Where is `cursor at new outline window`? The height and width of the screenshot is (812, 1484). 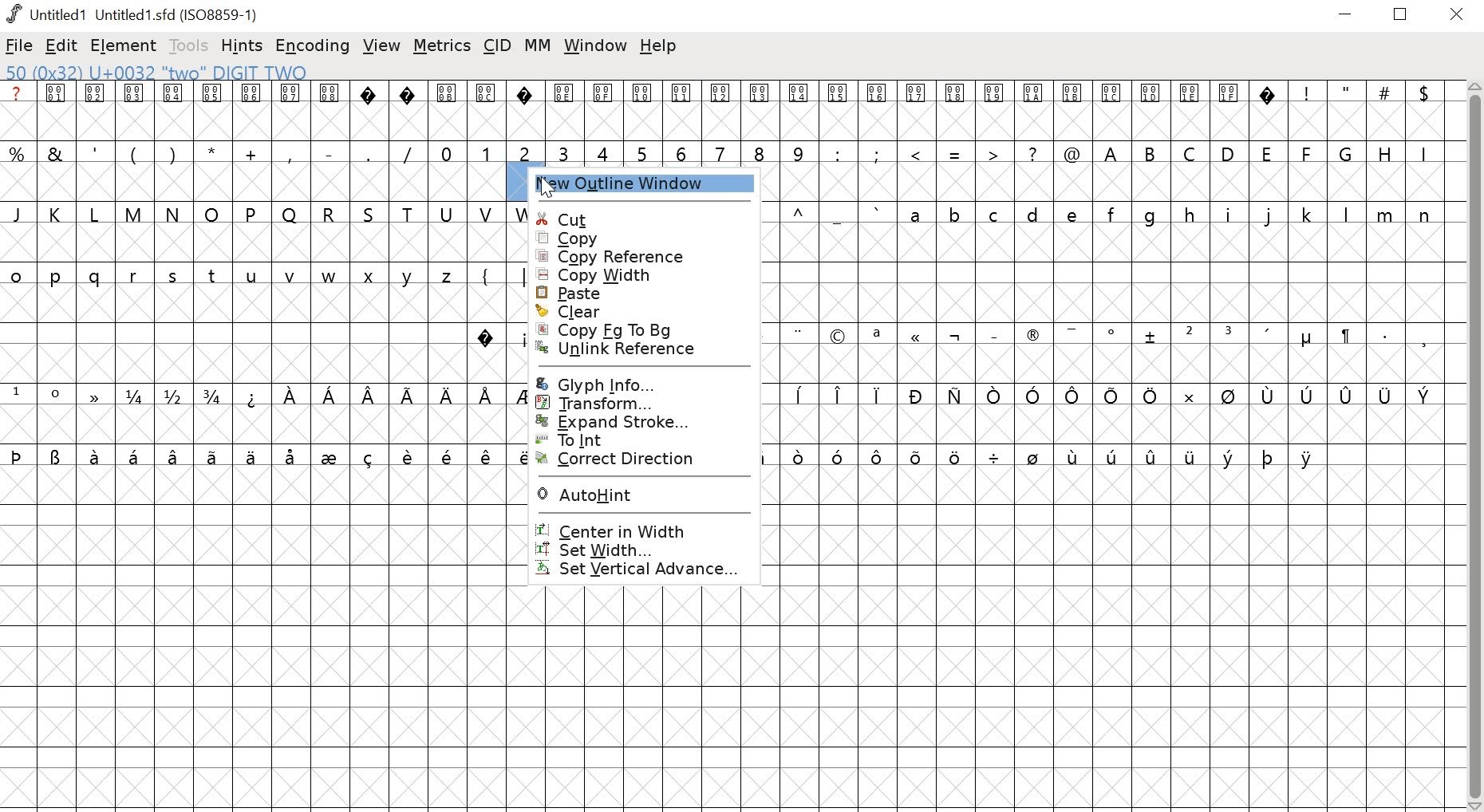 cursor at new outline window is located at coordinates (546, 189).